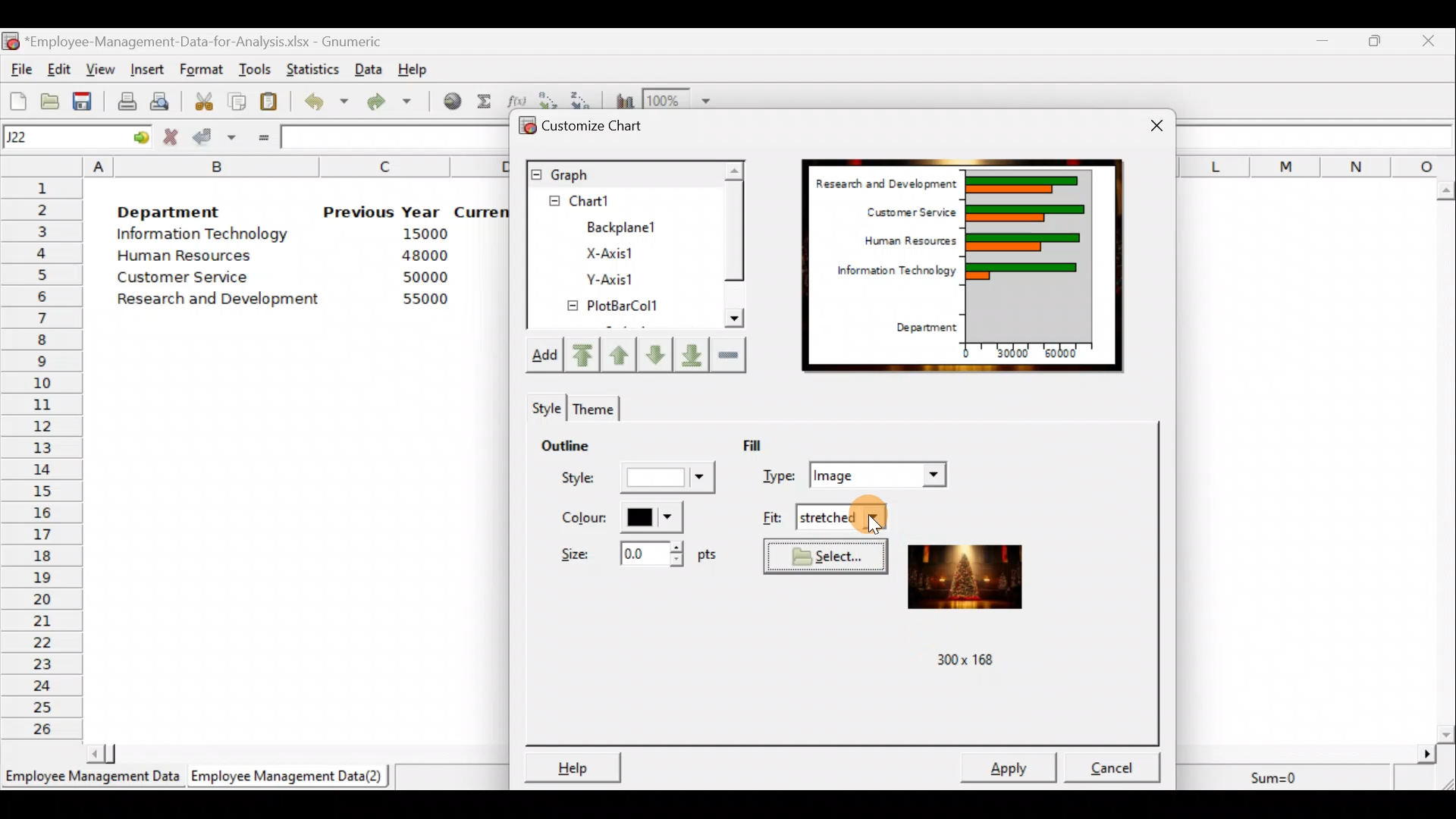  Describe the element at coordinates (328, 105) in the screenshot. I see `Undo last action` at that location.